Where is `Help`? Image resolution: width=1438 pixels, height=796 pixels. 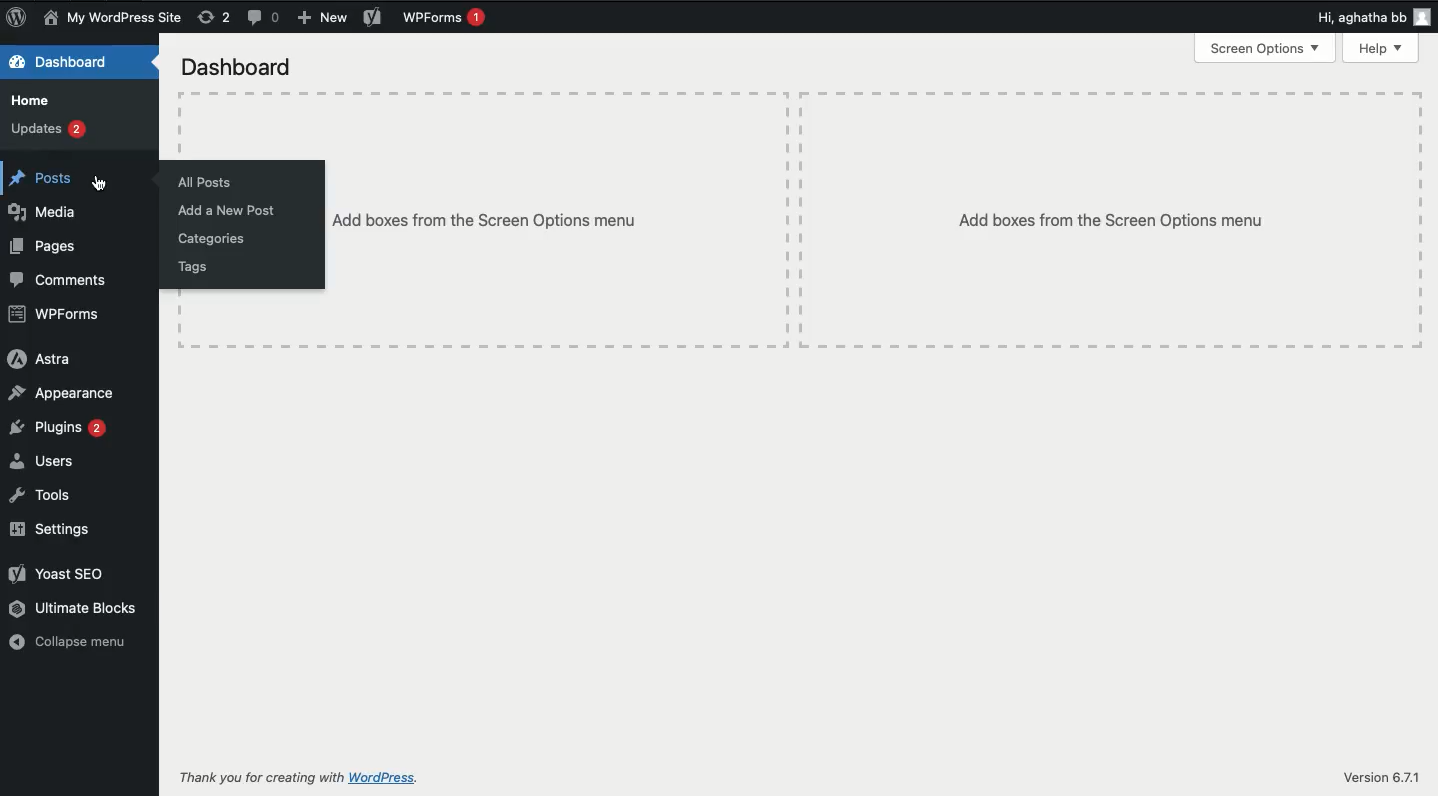 Help is located at coordinates (1380, 48).